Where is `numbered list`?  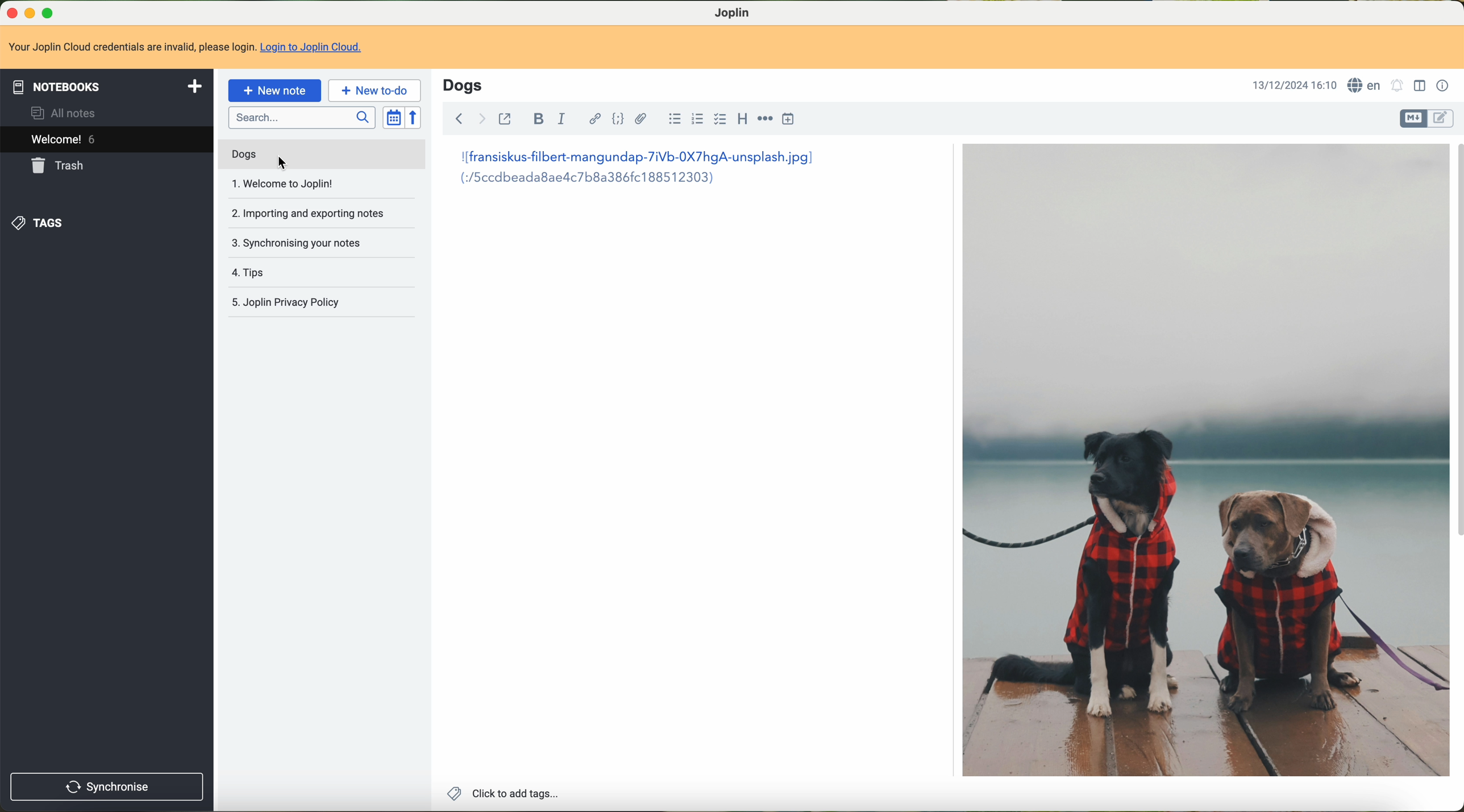
numbered list is located at coordinates (698, 120).